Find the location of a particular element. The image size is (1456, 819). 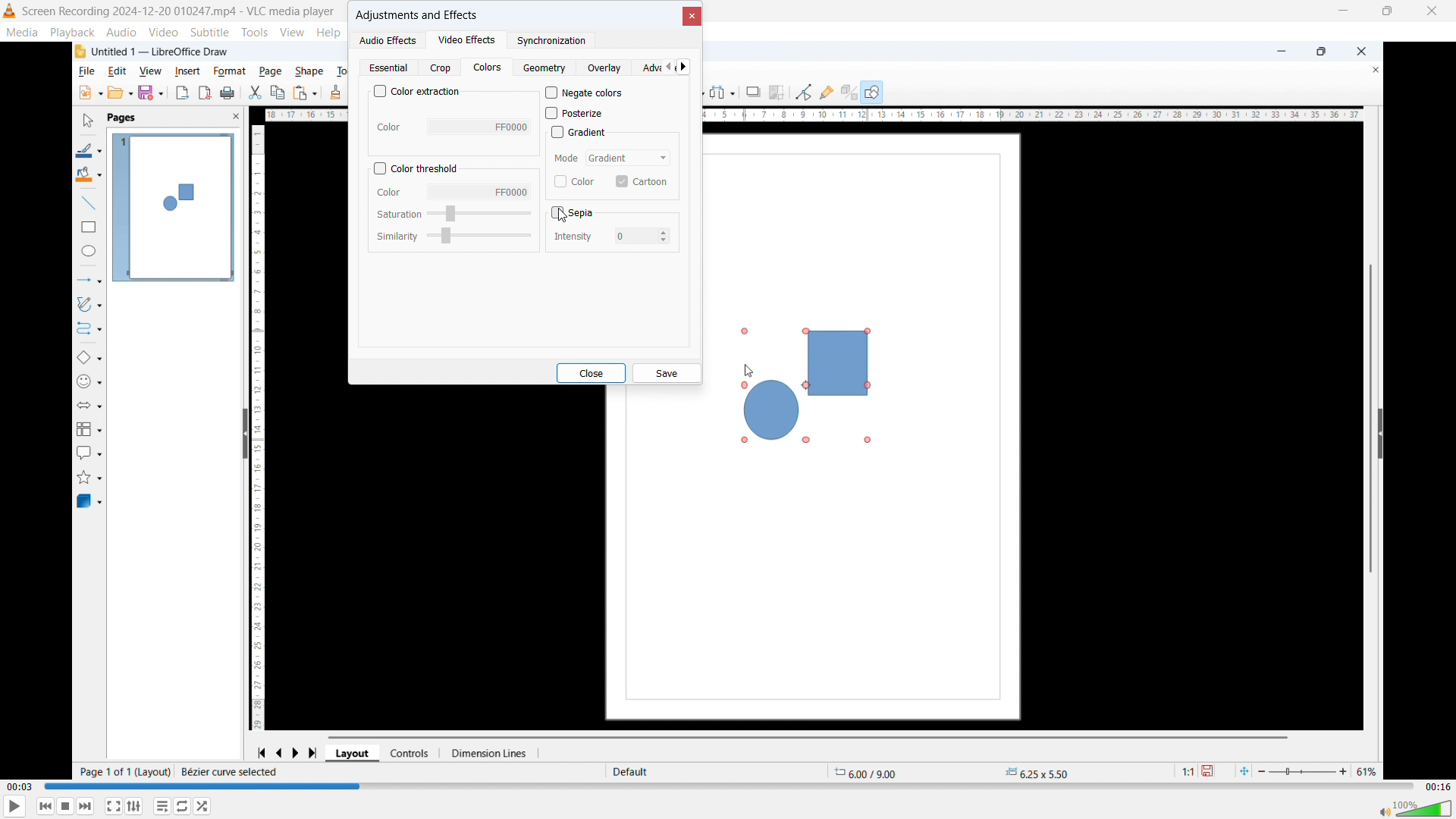

Stop playback  is located at coordinates (66, 806).